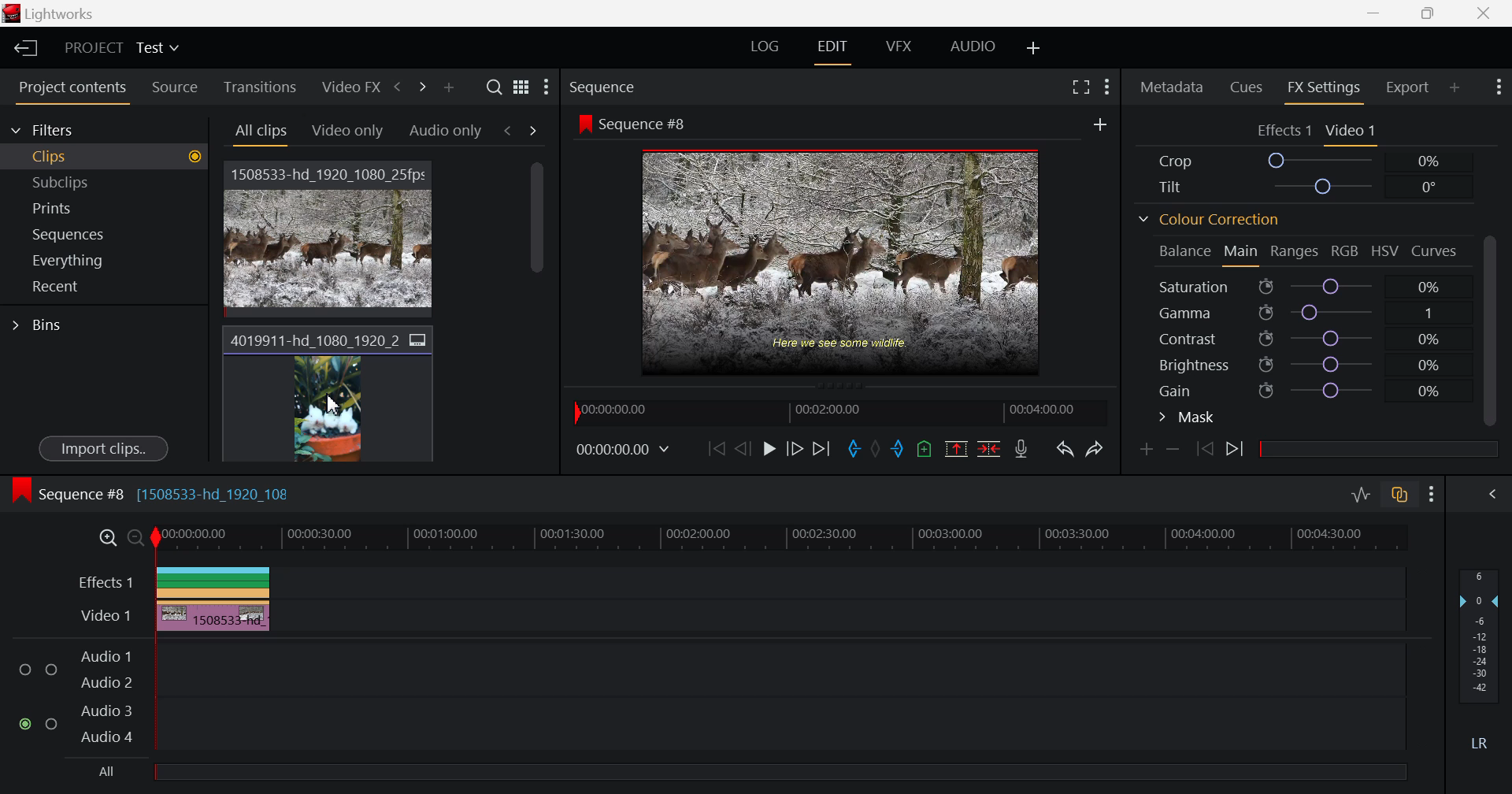 This screenshot has height=794, width=1512. I want to click on Redo, so click(1097, 449).